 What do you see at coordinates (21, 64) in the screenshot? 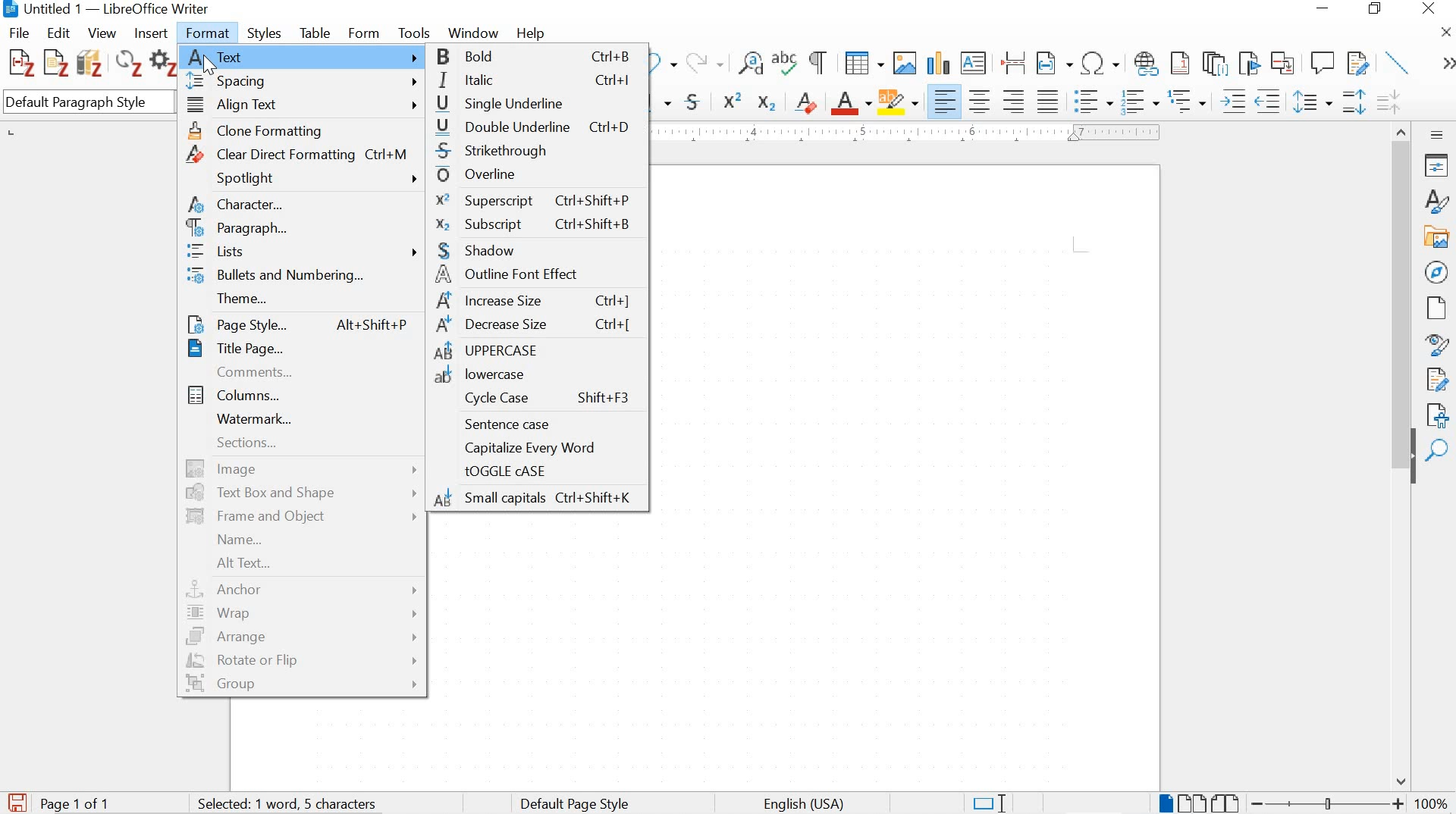
I see `add/edit citation` at bounding box center [21, 64].